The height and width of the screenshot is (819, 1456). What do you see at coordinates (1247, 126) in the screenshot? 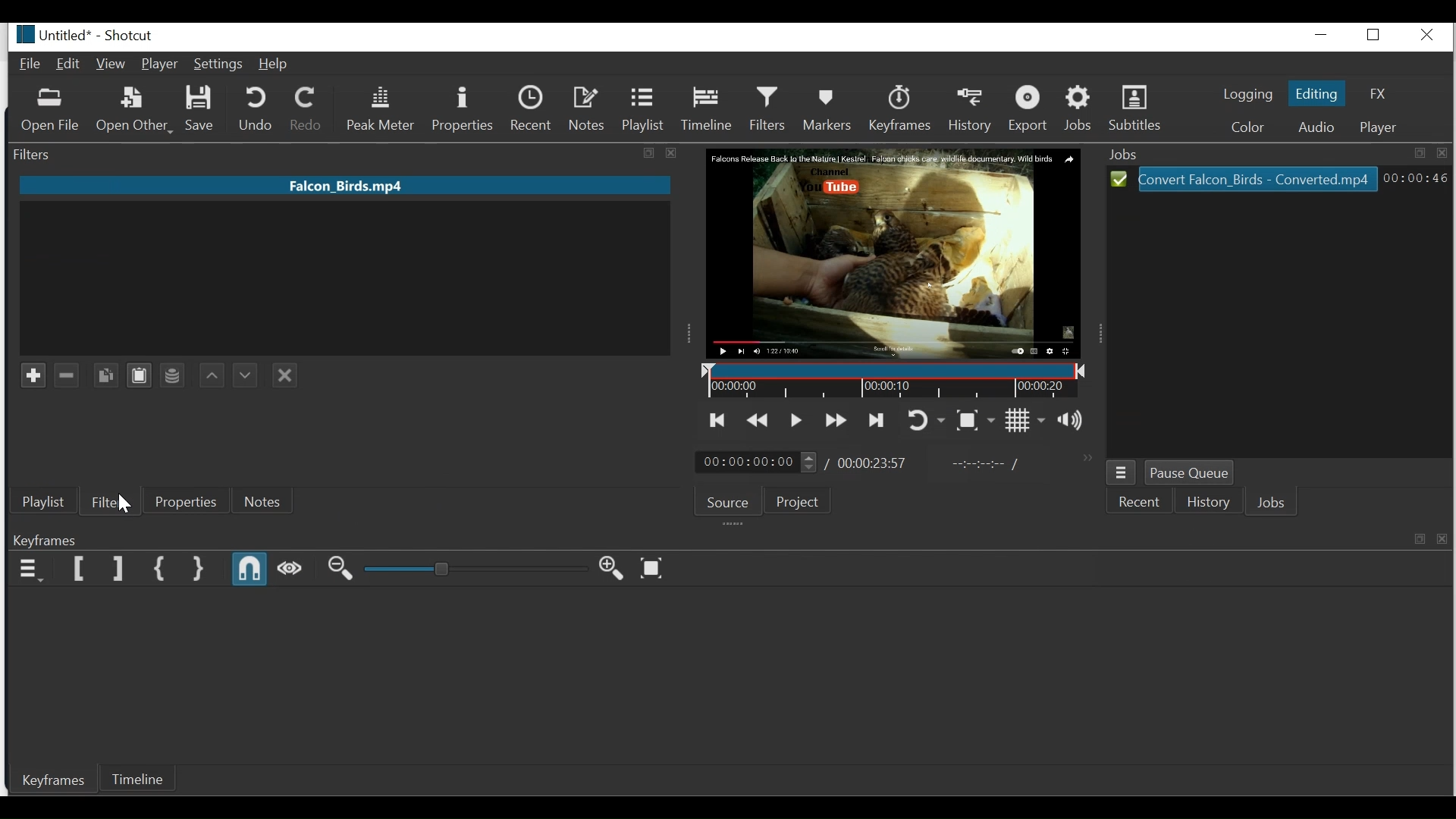
I see `Color` at bounding box center [1247, 126].